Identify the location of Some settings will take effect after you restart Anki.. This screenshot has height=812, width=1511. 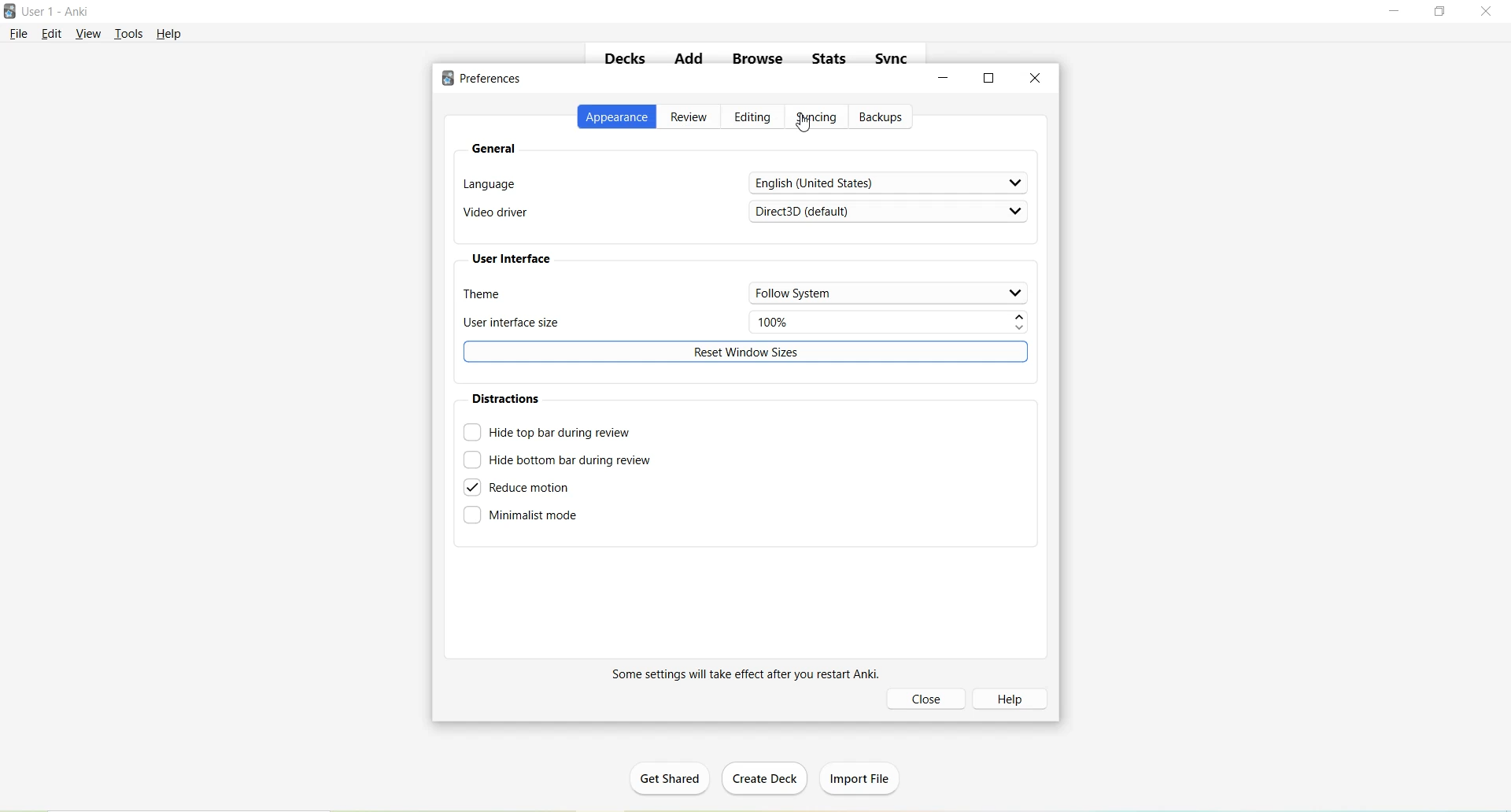
(739, 675).